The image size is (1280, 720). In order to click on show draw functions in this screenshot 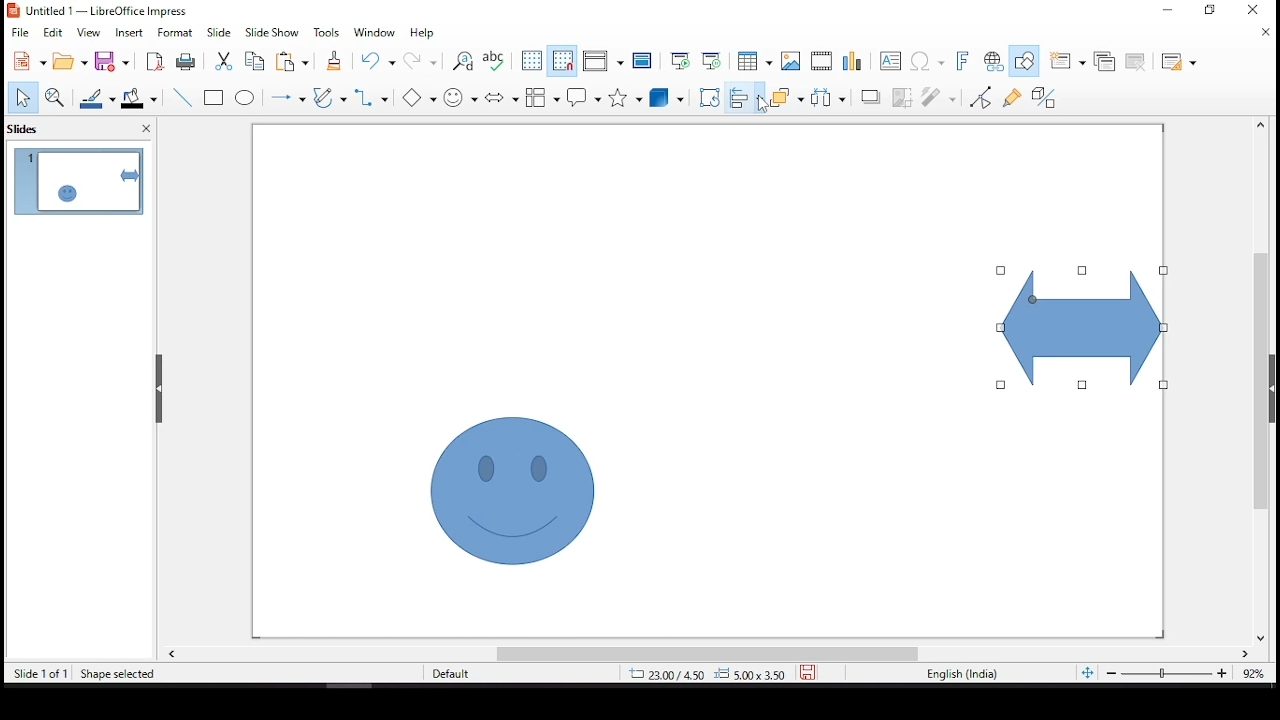, I will do `click(1023, 61)`.